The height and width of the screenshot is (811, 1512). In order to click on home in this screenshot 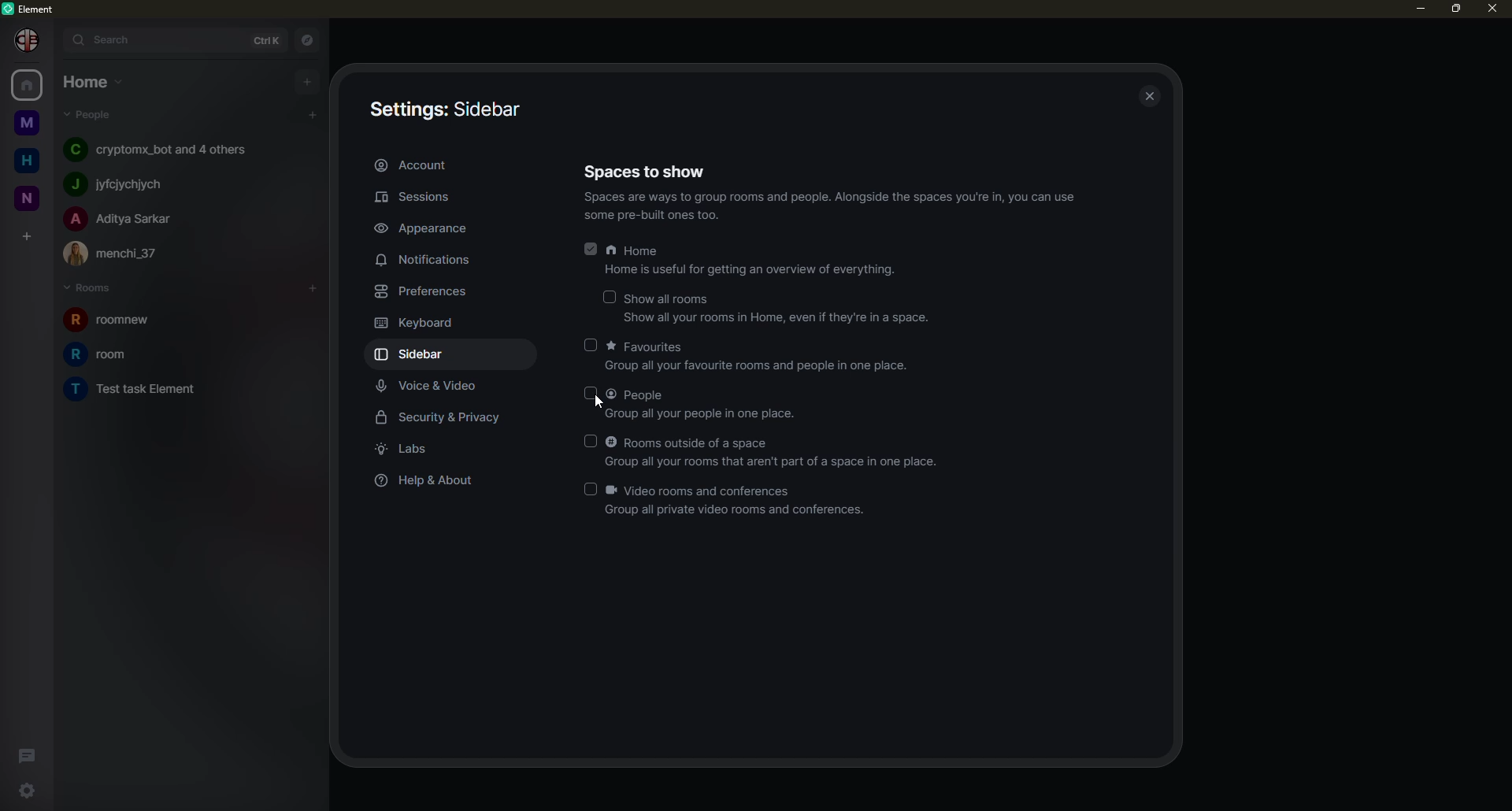, I will do `click(22, 158)`.